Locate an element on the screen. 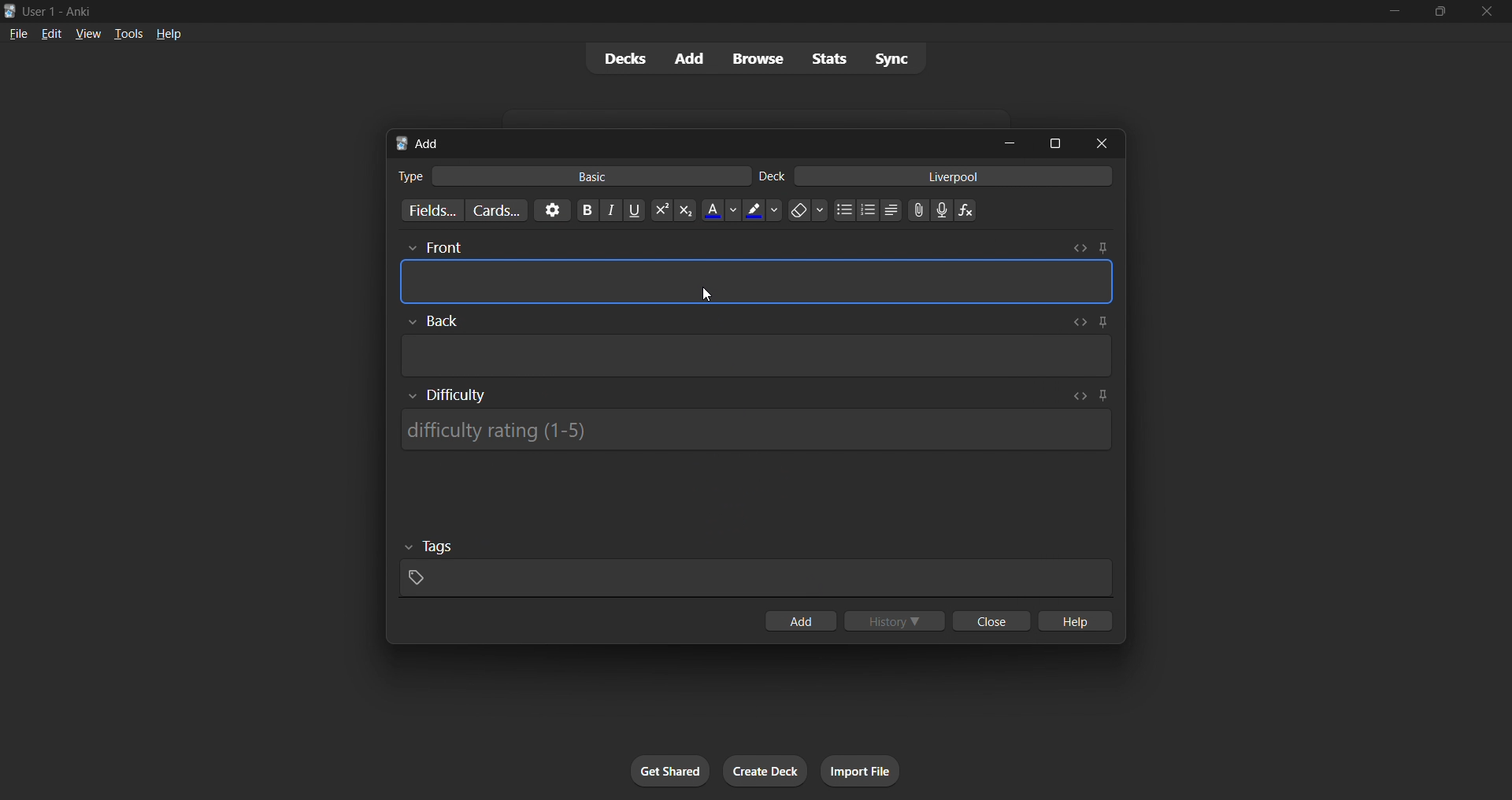 This screenshot has height=800, width=1512. minimize is located at coordinates (1010, 143).